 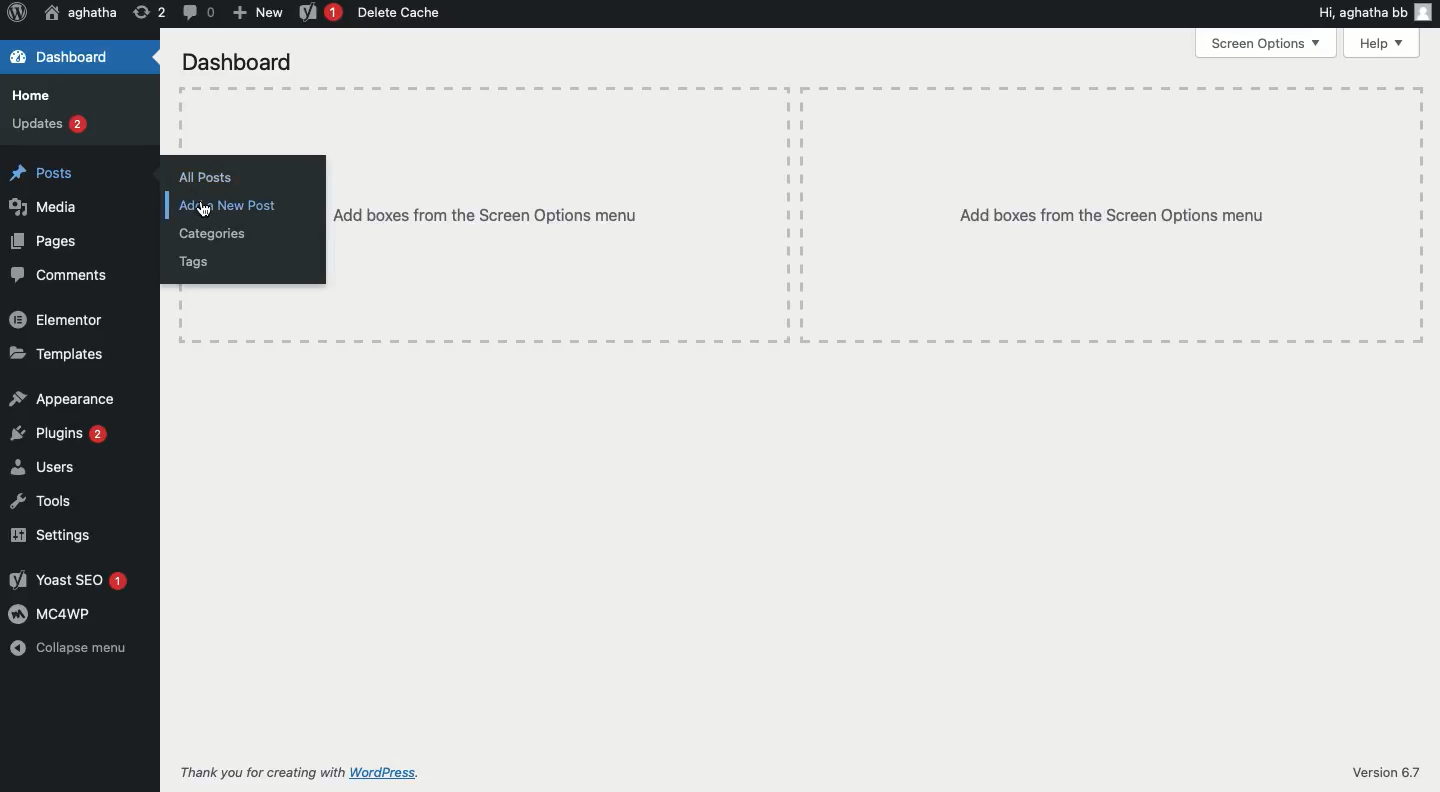 What do you see at coordinates (56, 318) in the screenshot?
I see `Elementor` at bounding box center [56, 318].